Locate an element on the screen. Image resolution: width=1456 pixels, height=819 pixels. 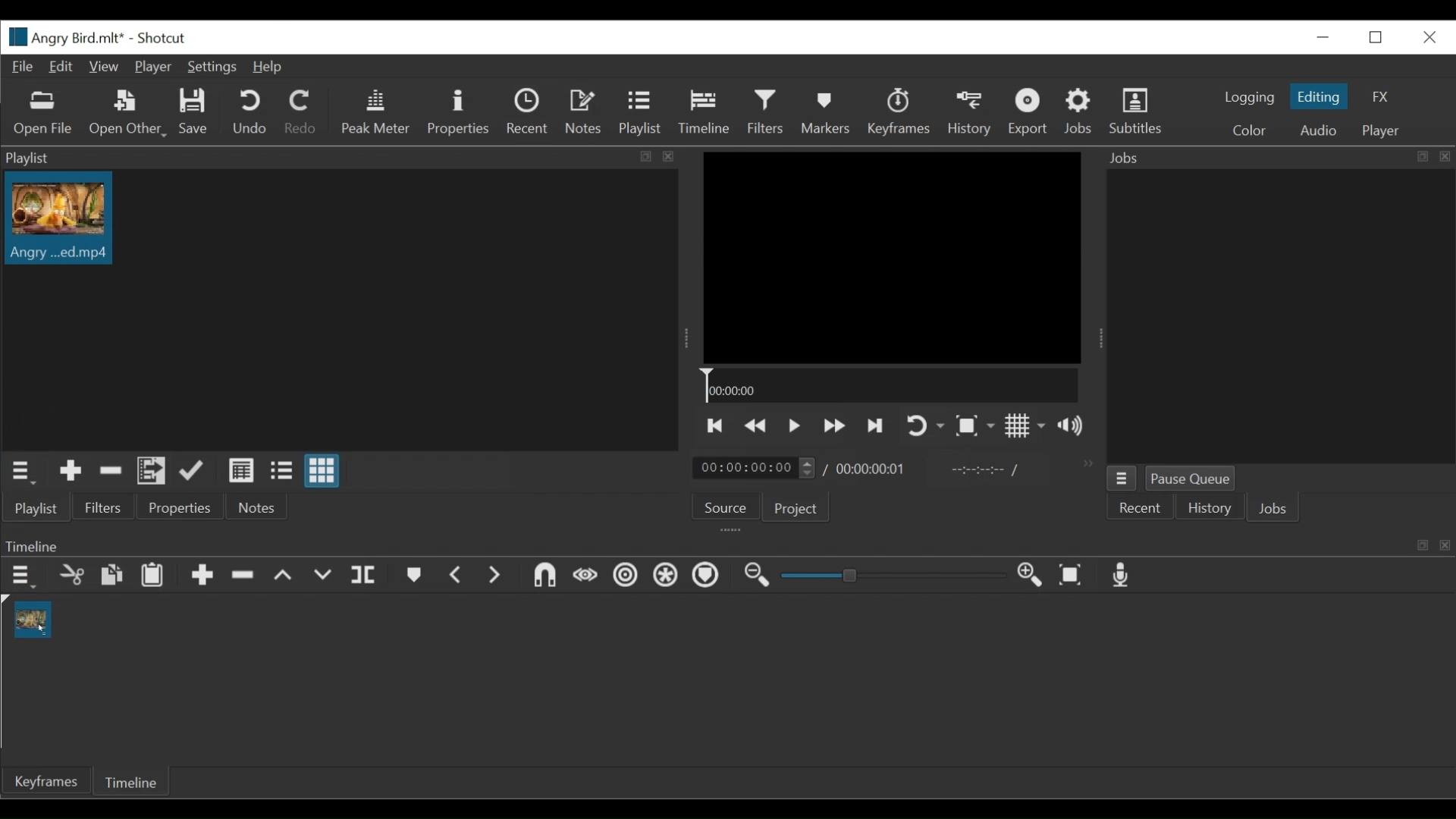
View as detail is located at coordinates (242, 472).